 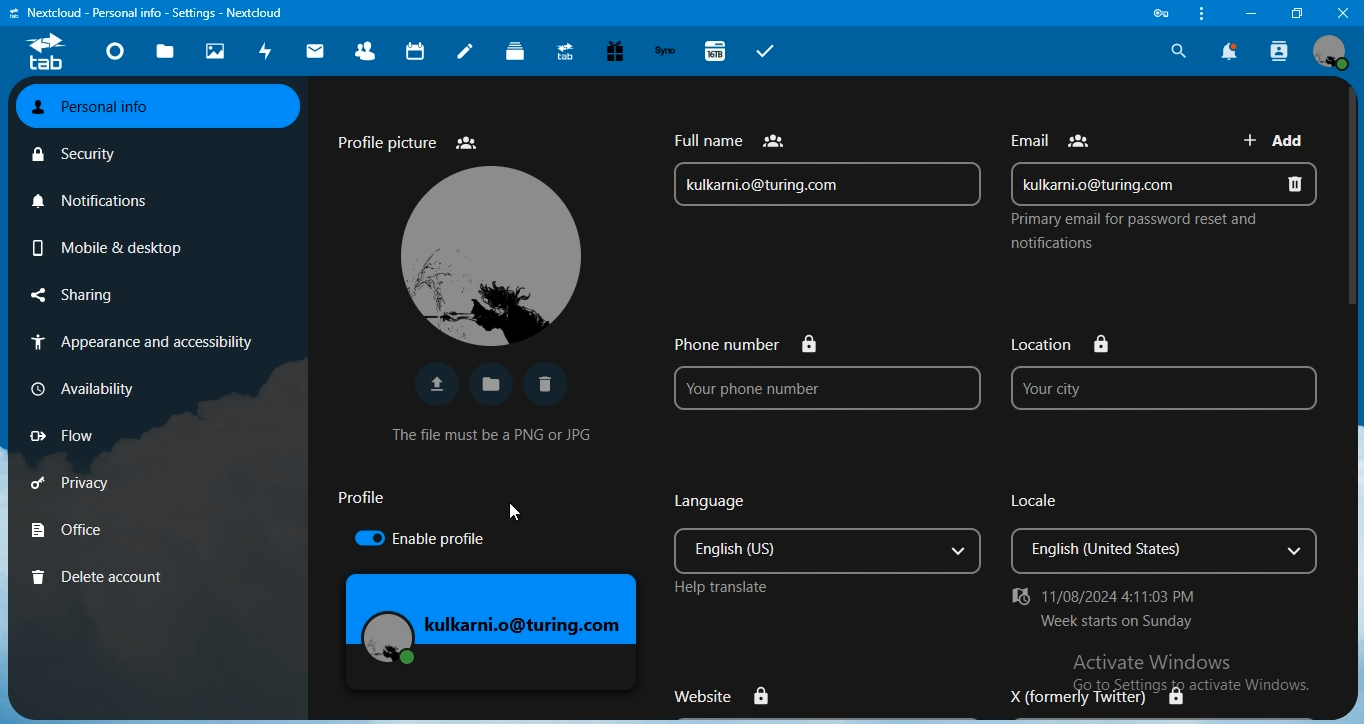 I want to click on dashboard, so click(x=113, y=53).